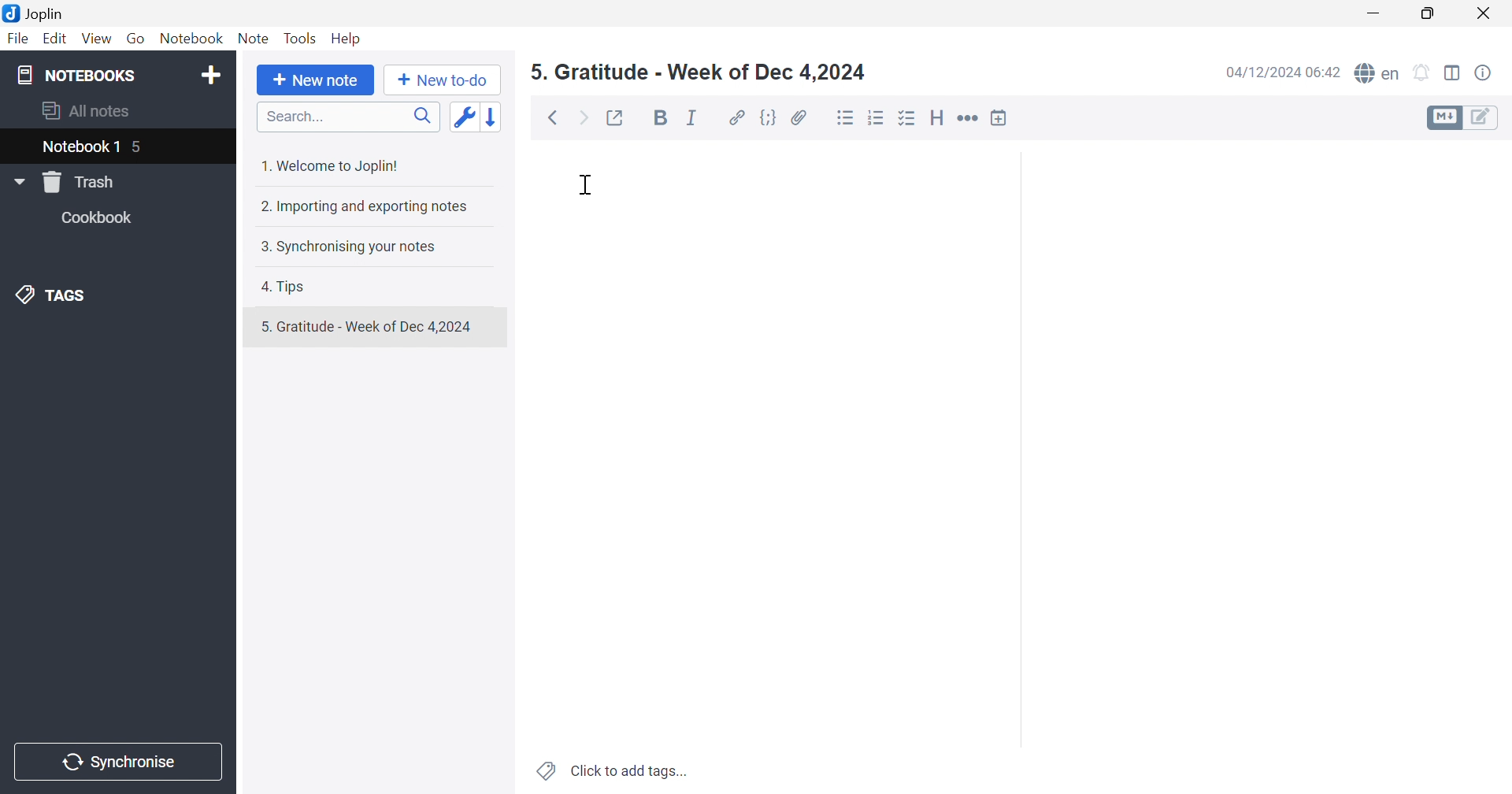  I want to click on Set alarm, so click(1425, 71).